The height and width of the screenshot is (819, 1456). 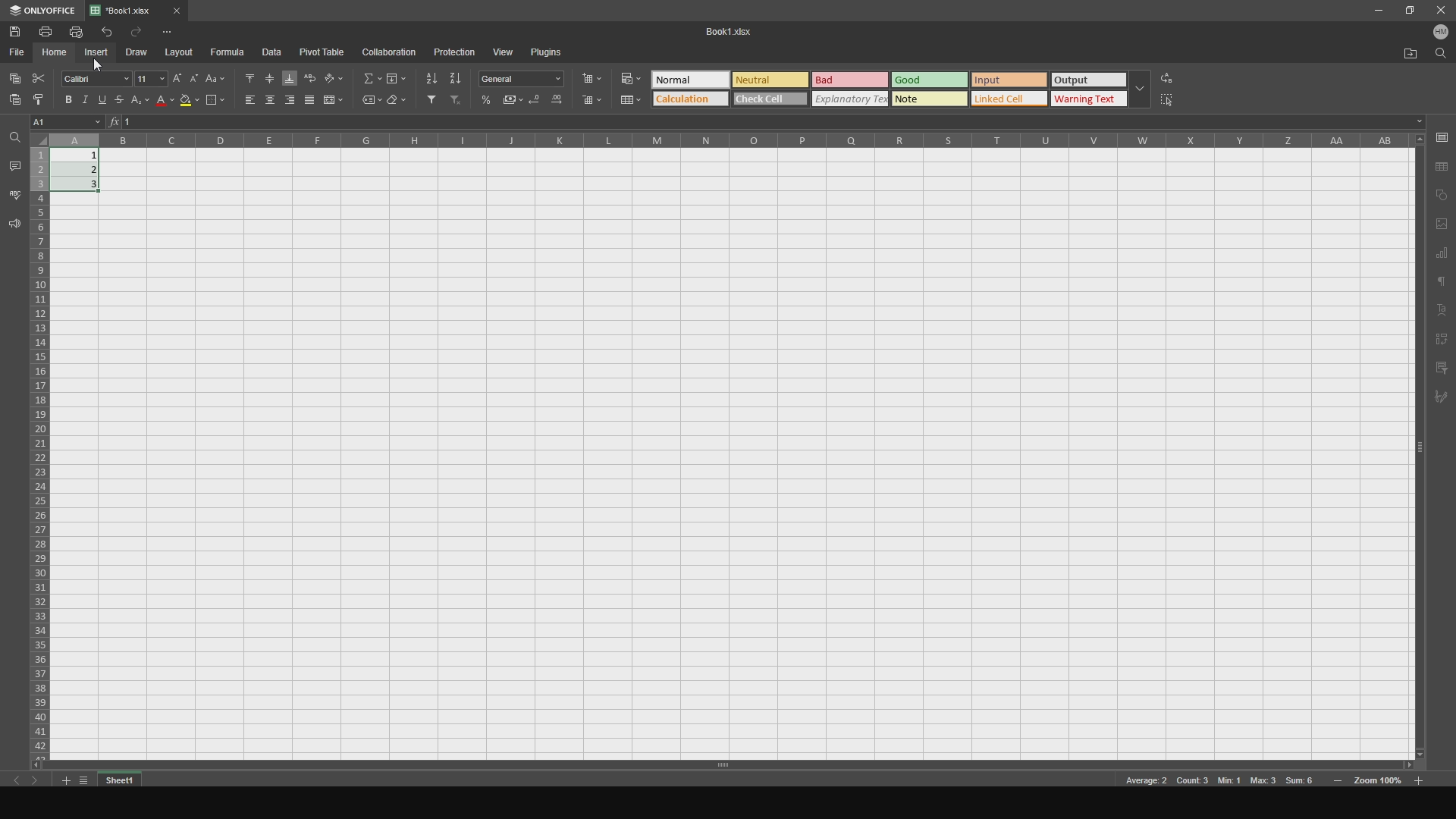 What do you see at coordinates (42, 11) in the screenshot?
I see `onlyoffice` at bounding box center [42, 11].